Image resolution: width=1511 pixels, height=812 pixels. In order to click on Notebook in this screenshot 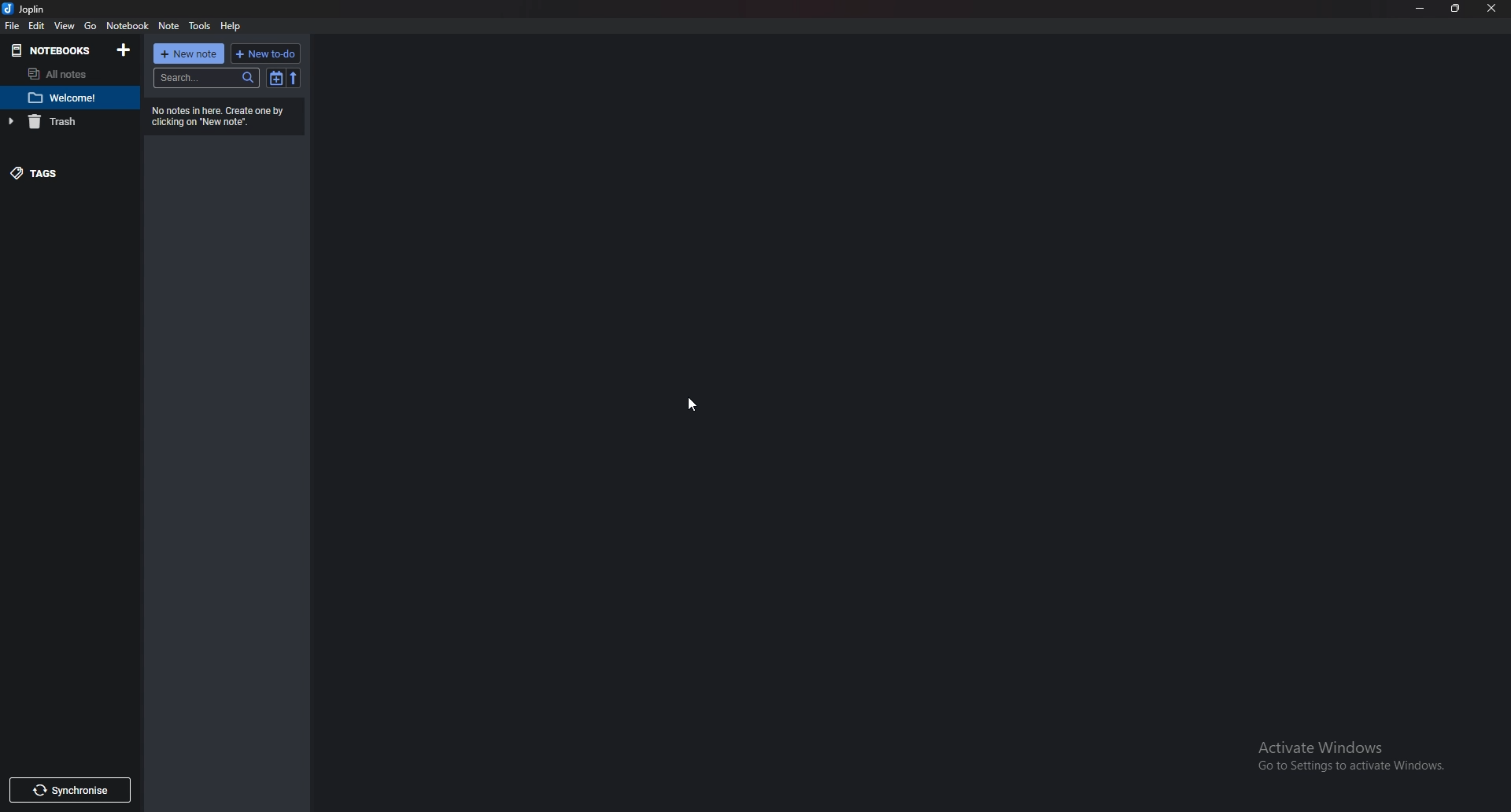, I will do `click(129, 25)`.